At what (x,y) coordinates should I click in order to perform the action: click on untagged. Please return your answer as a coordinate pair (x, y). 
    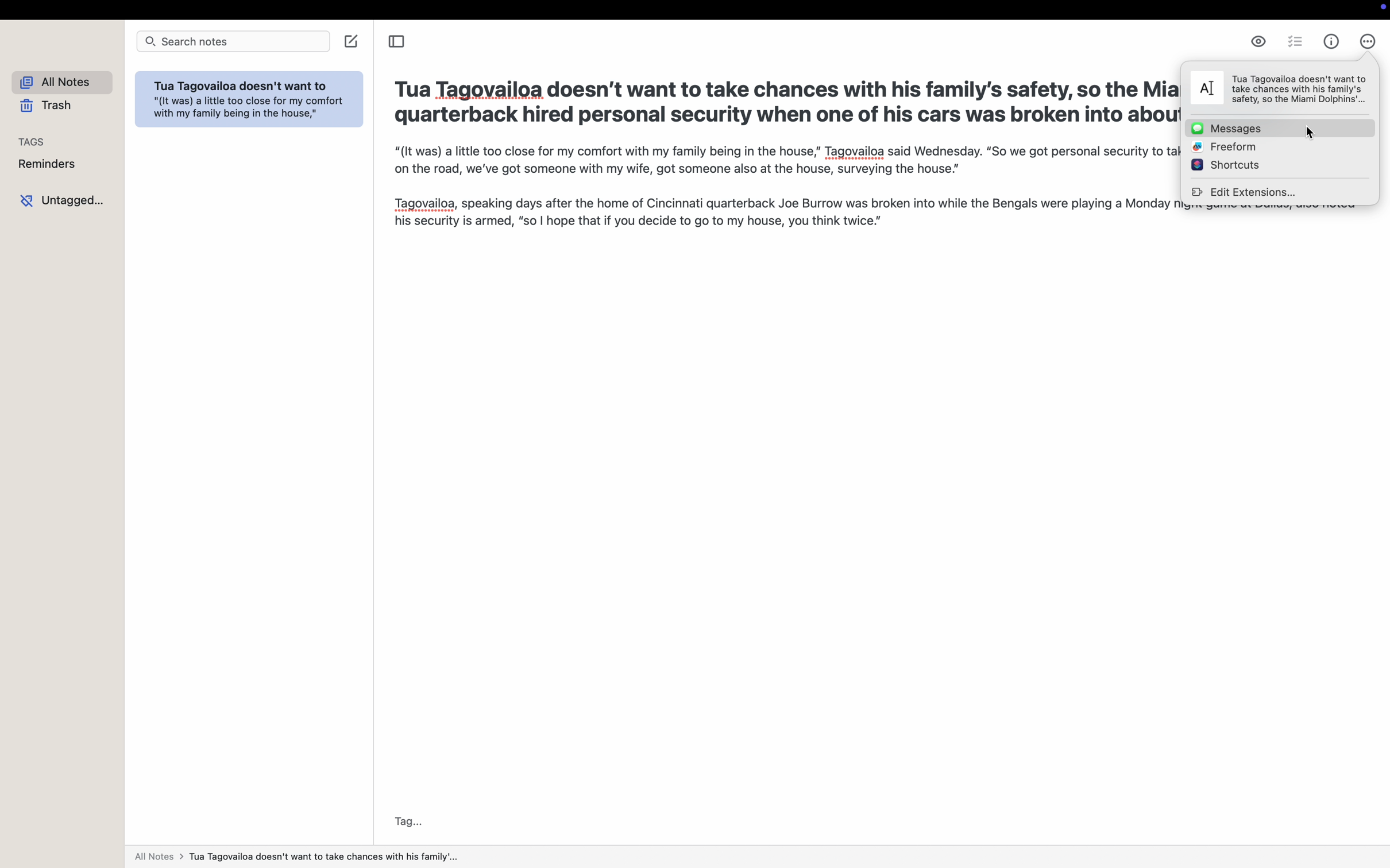
    Looking at the image, I should click on (61, 200).